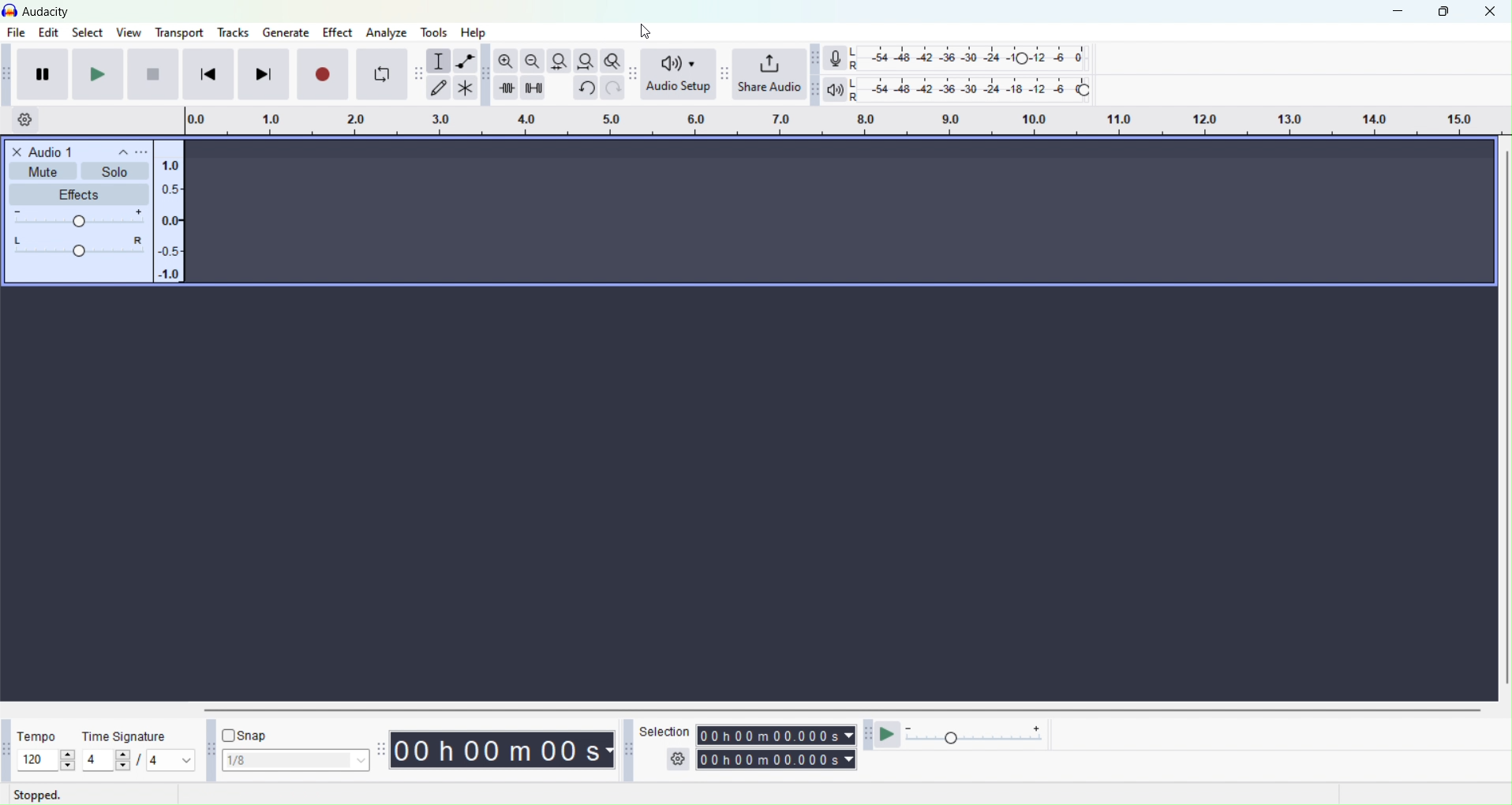 The width and height of the screenshot is (1512, 805). What do you see at coordinates (68, 754) in the screenshot?
I see `increase tempo` at bounding box center [68, 754].